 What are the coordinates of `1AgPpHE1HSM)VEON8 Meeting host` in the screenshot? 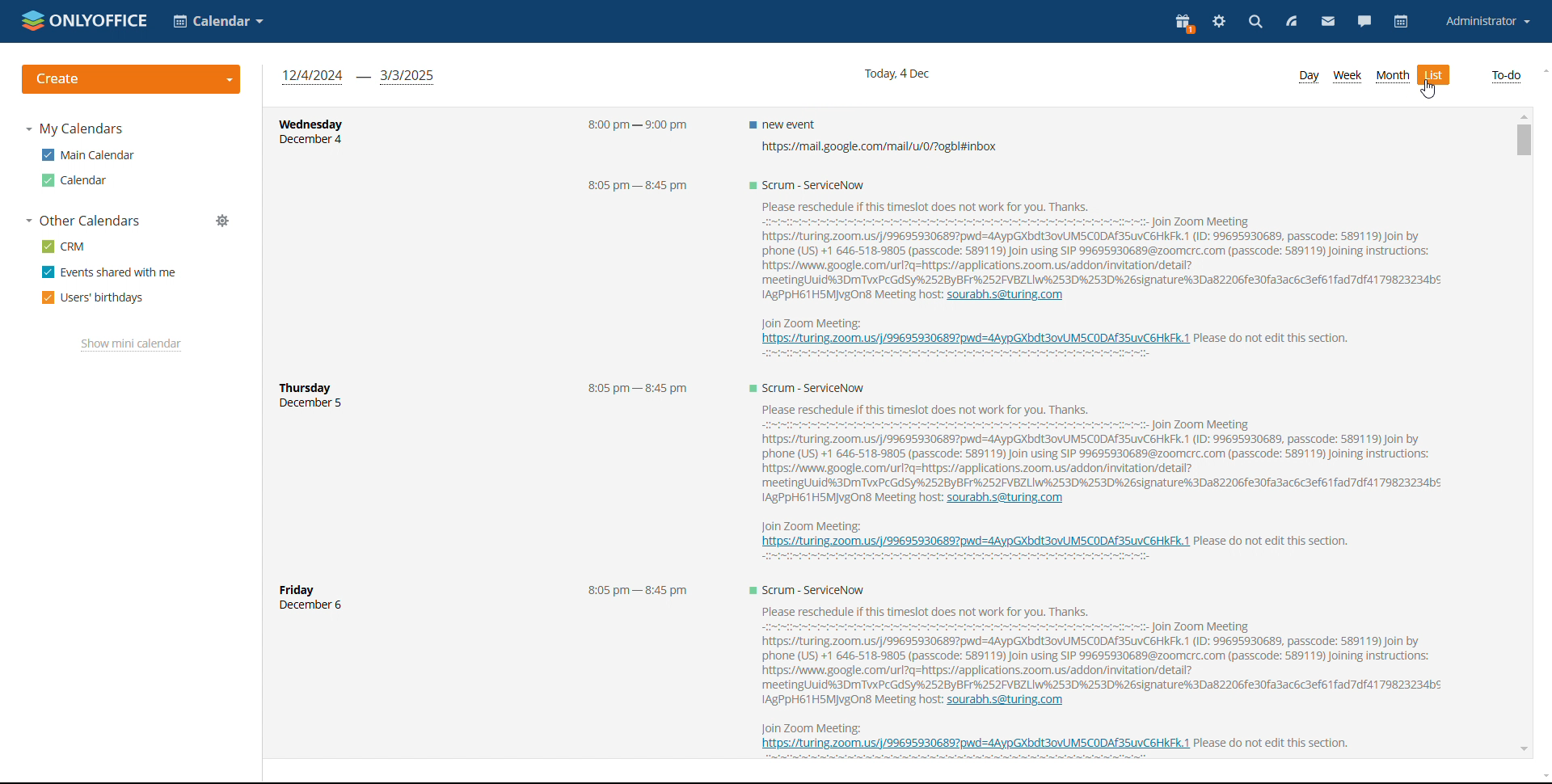 It's located at (842, 296).